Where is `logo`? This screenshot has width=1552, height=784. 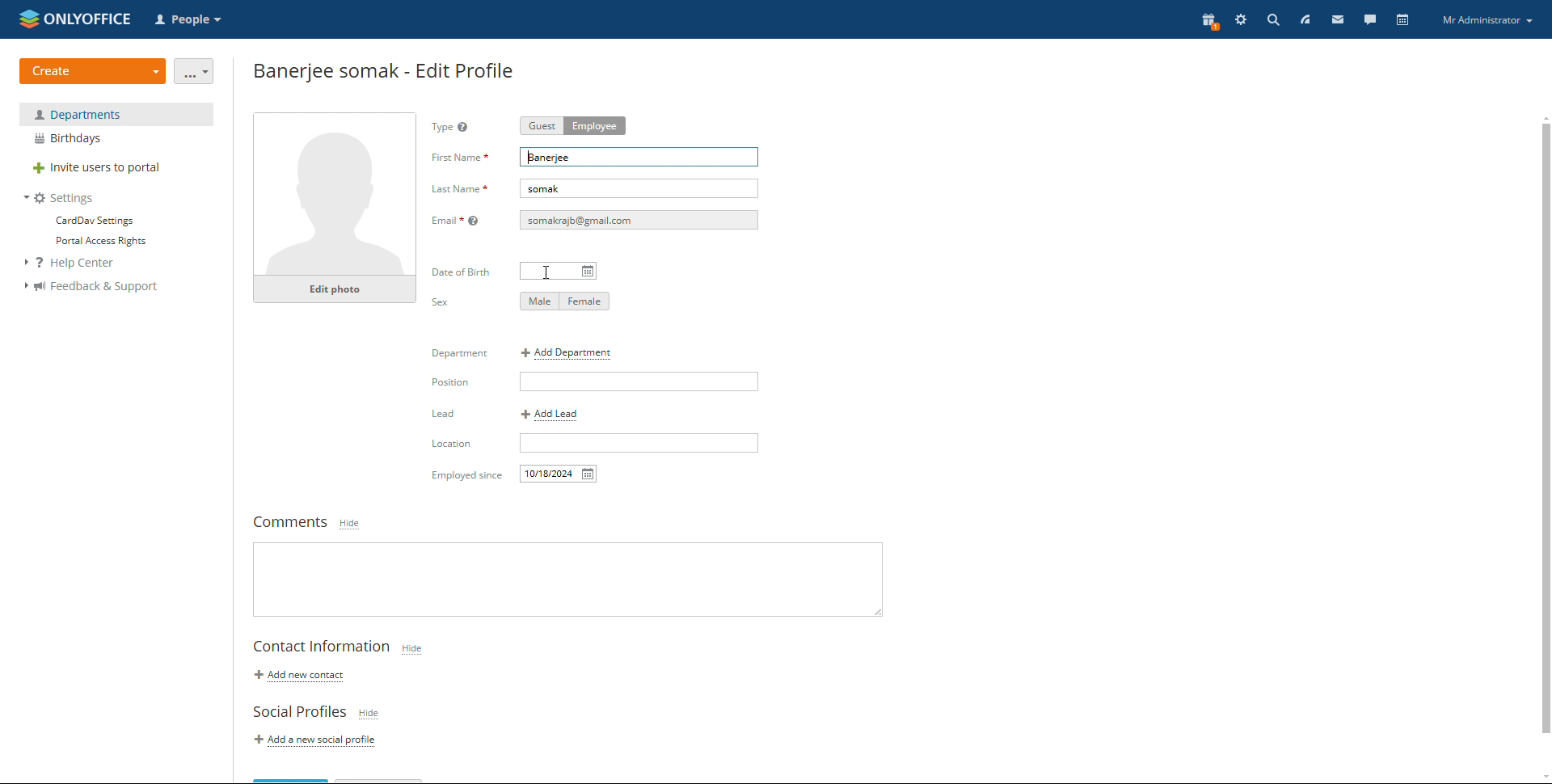
logo is located at coordinates (75, 18).